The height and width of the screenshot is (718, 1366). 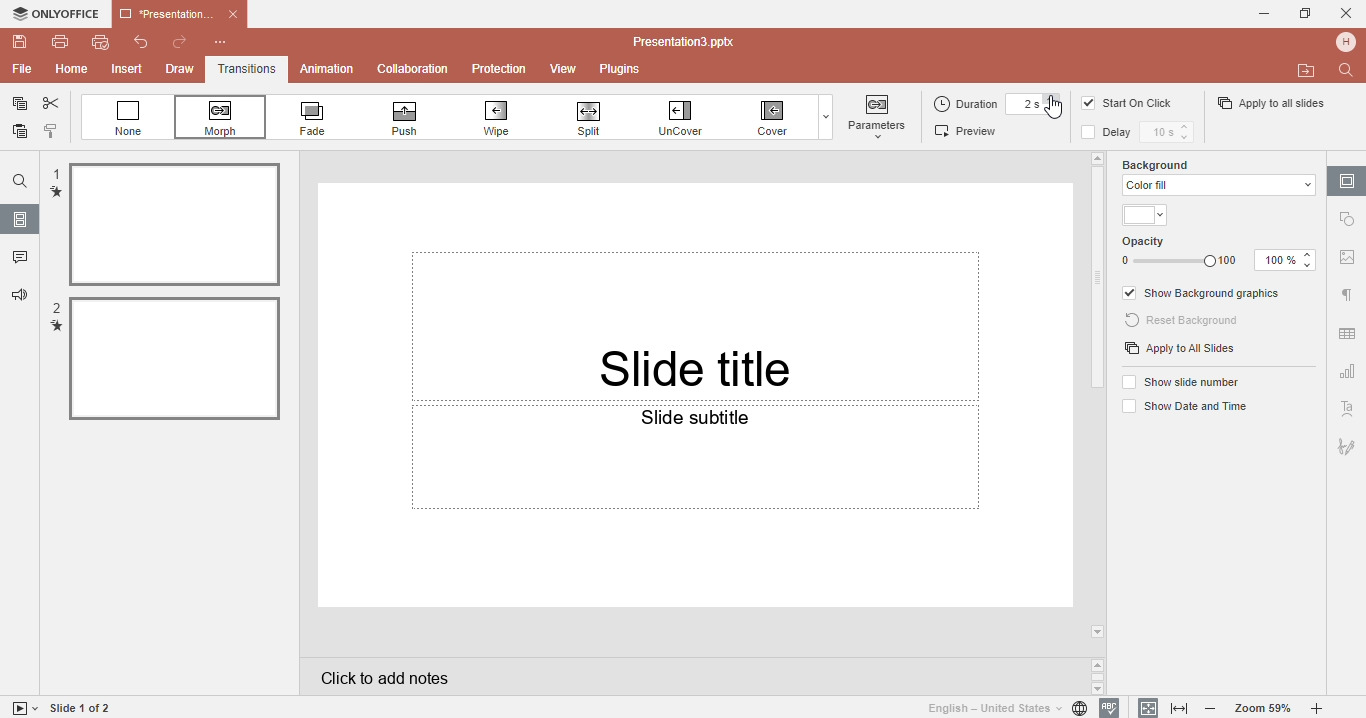 What do you see at coordinates (174, 225) in the screenshot?
I see `selected file 1` at bounding box center [174, 225].